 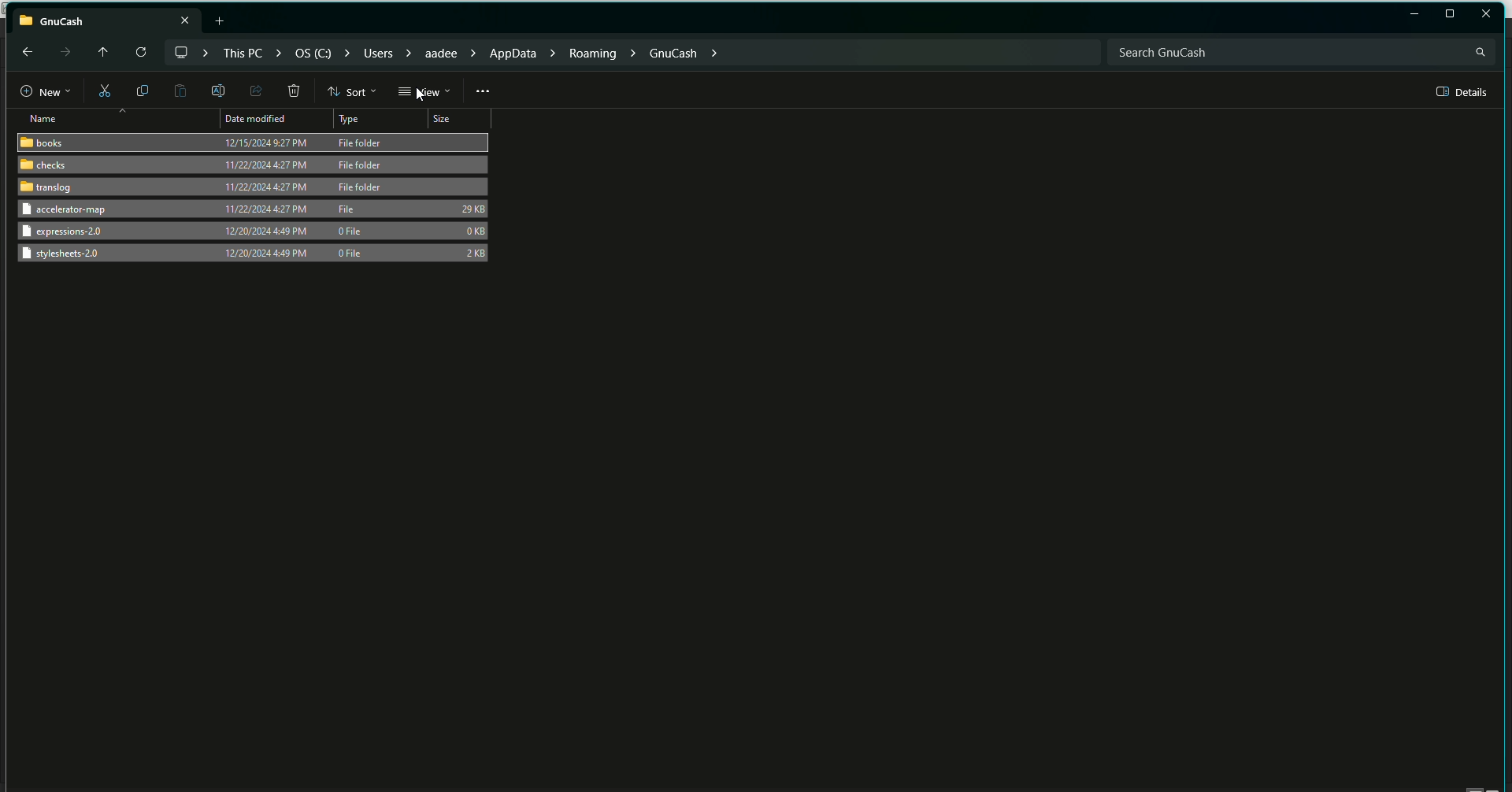 What do you see at coordinates (180, 91) in the screenshot?
I see `Paste` at bounding box center [180, 91].